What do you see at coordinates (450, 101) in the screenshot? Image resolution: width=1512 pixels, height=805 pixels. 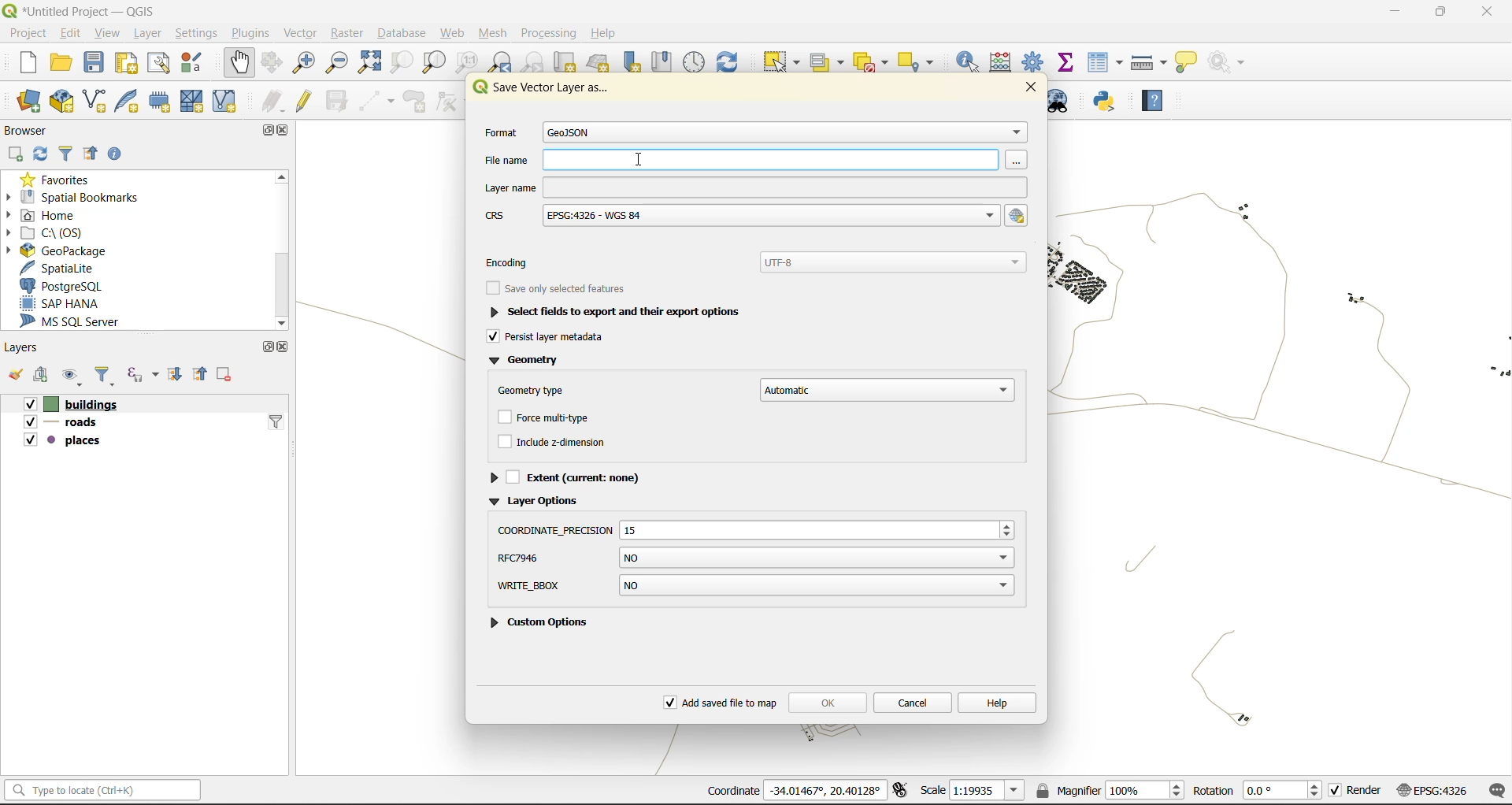 I see `vertex tools` at bounding box center [450, 101].